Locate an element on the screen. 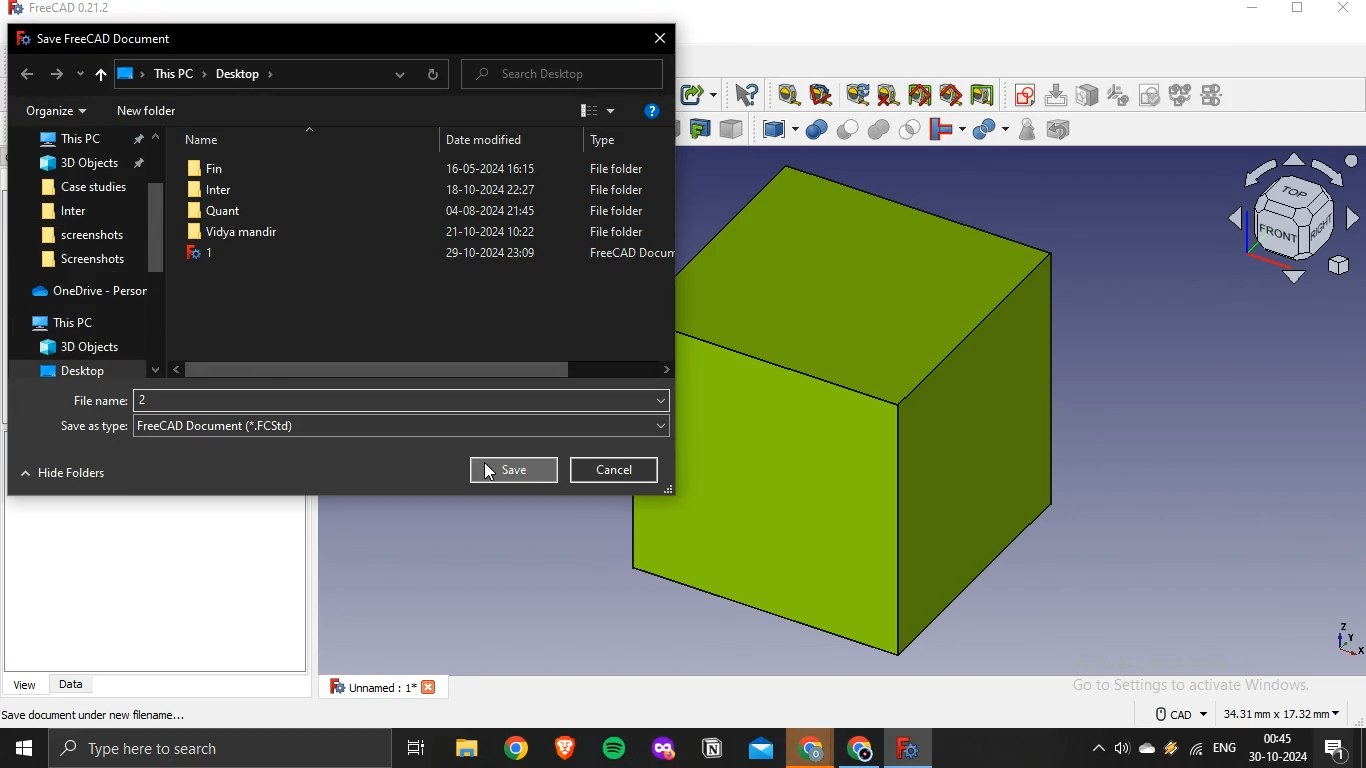 The image size is (1366, 768). create projection on surface is located at coordinates (699, 130).